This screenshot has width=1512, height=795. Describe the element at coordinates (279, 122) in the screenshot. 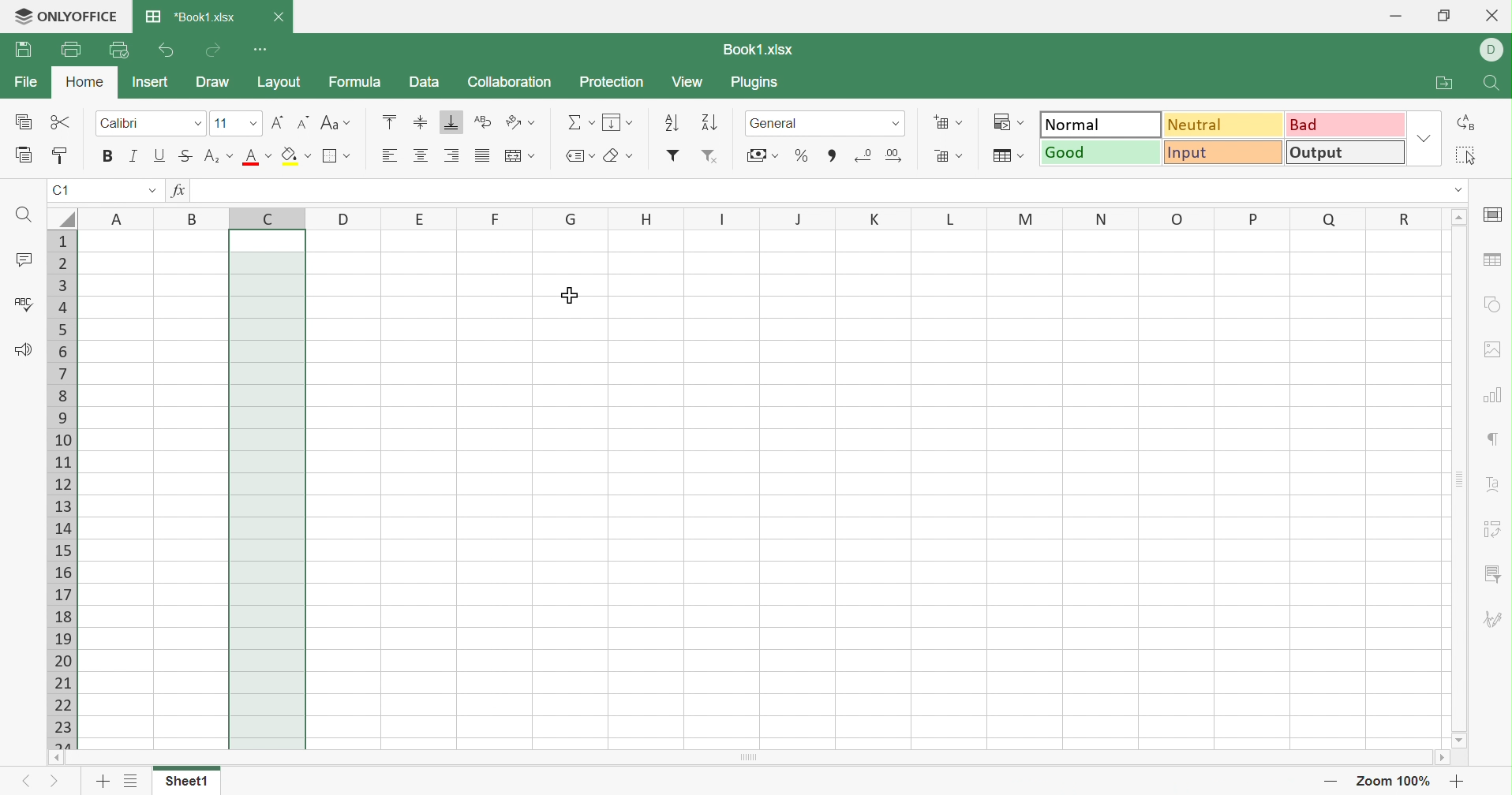

I see `Increment font size` at that location.